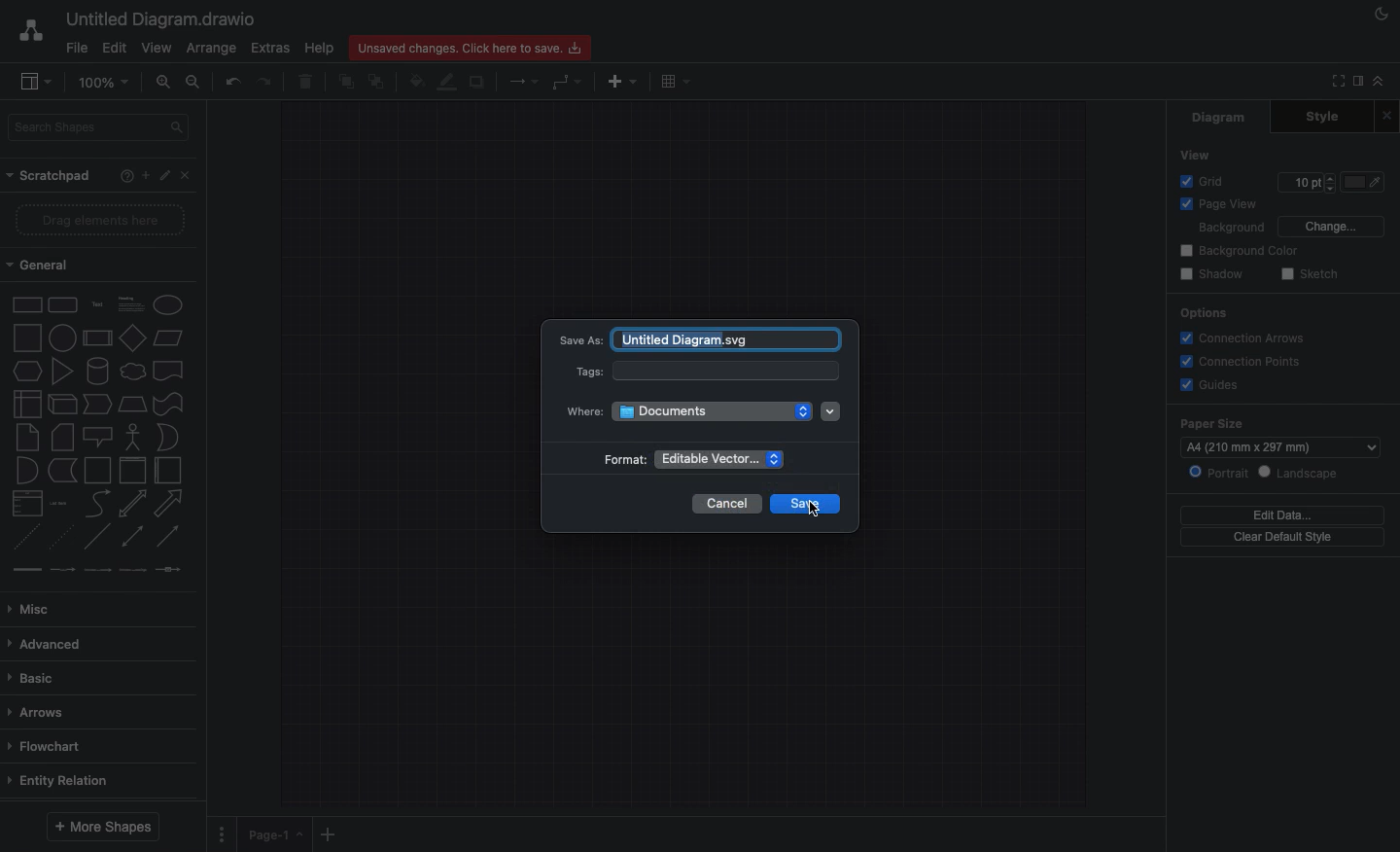 The image size is (1400, 852). I want to click on Shadow, so click(1209, 275).